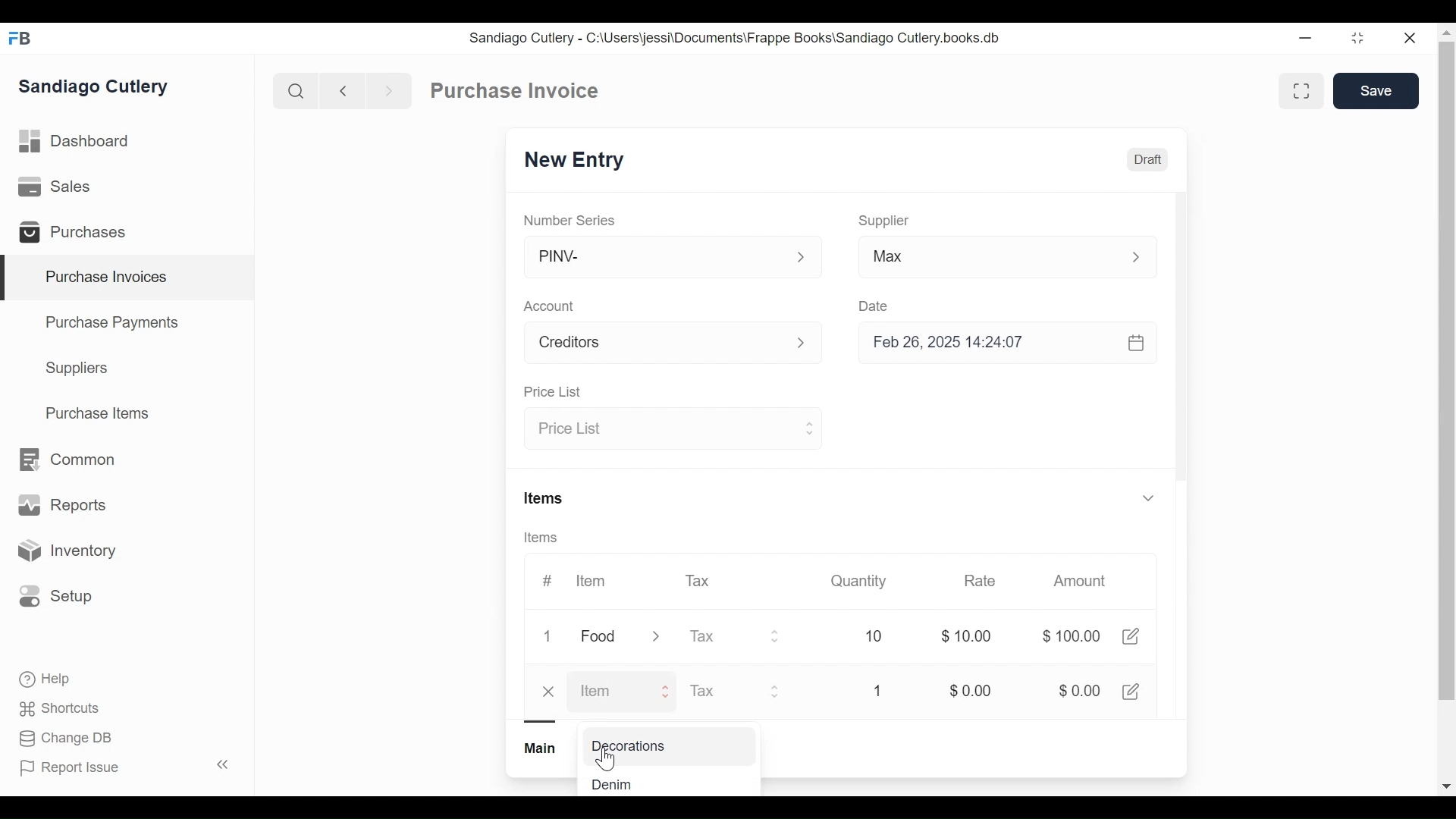 The height and width of the screenshot is (819, 1456). Describe the element at coordinates (724, 692) in the screenshot. I see `Tax` at that location.